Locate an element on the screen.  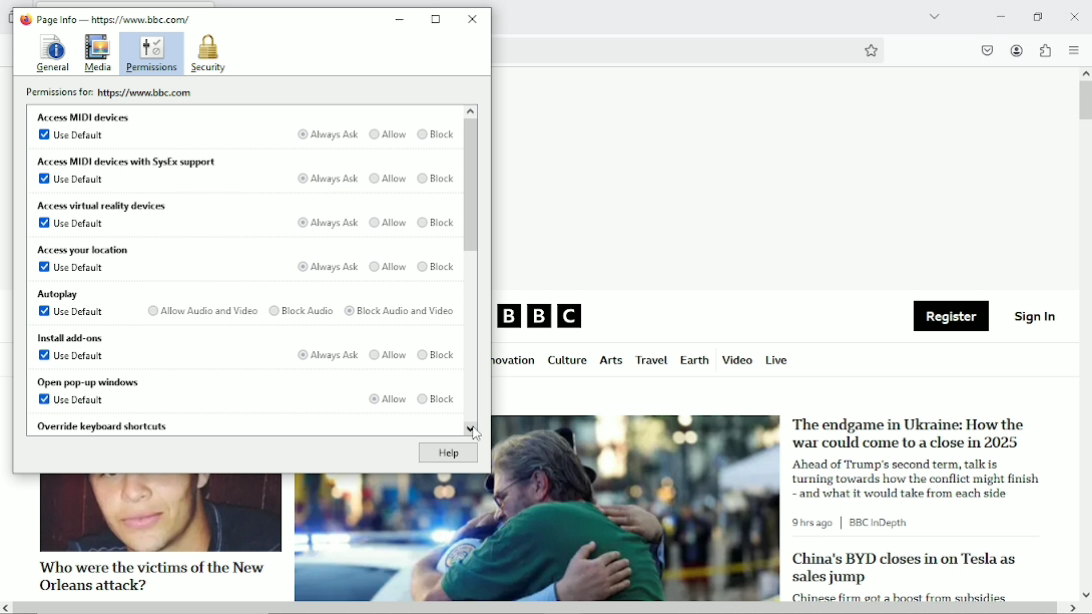
scroll down is located at coordinates (1085, 594).